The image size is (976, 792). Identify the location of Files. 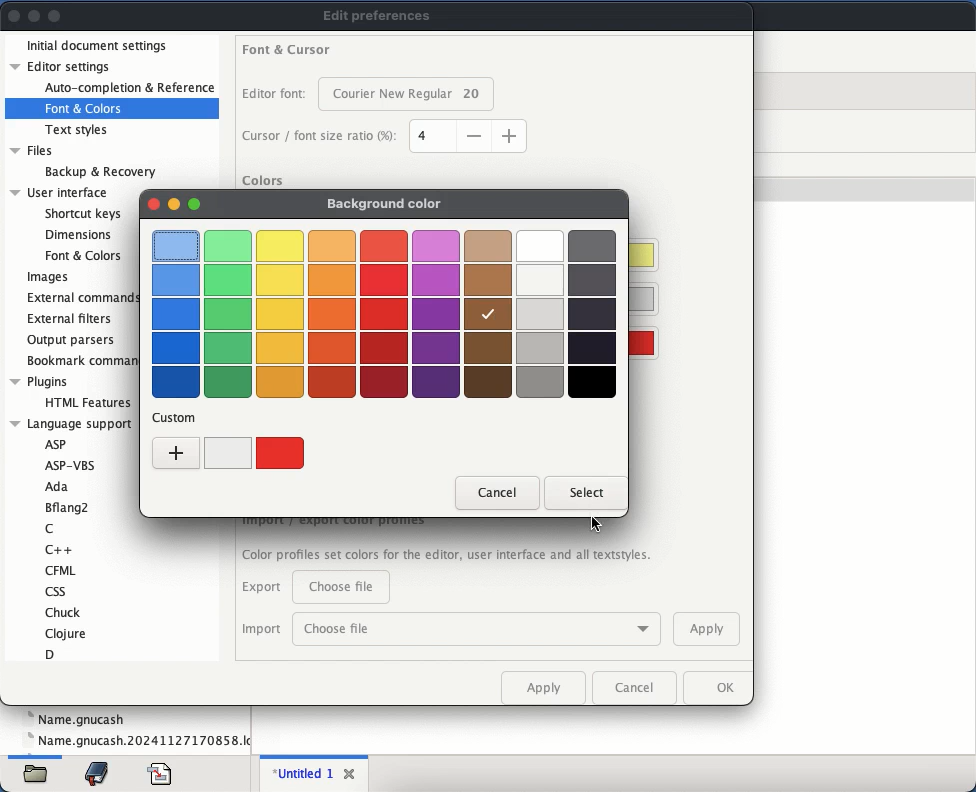
(33, 149).